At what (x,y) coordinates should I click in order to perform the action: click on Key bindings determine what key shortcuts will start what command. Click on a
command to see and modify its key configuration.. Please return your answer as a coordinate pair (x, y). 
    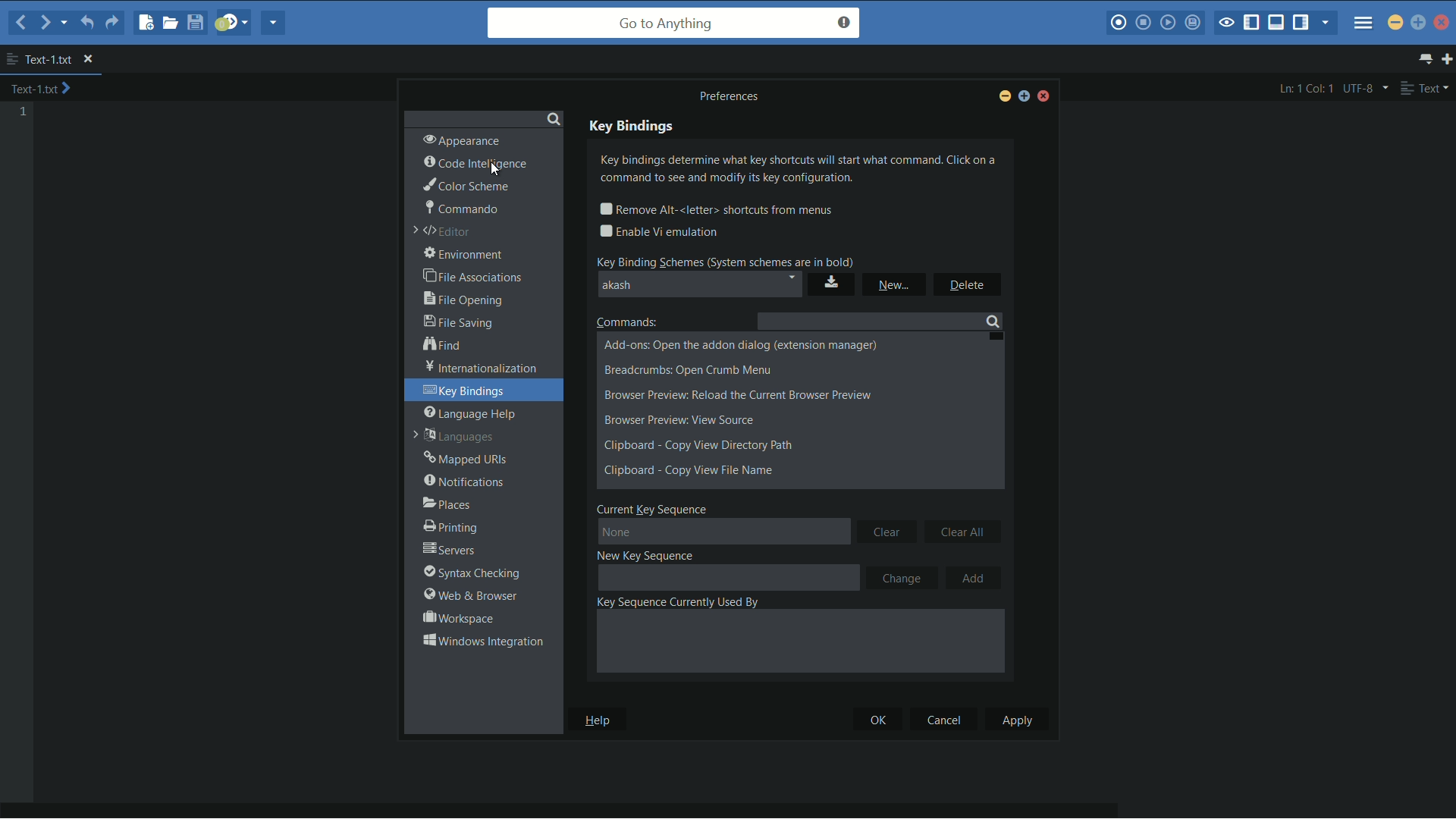
    Looking at the image, I should click on (803, 171).